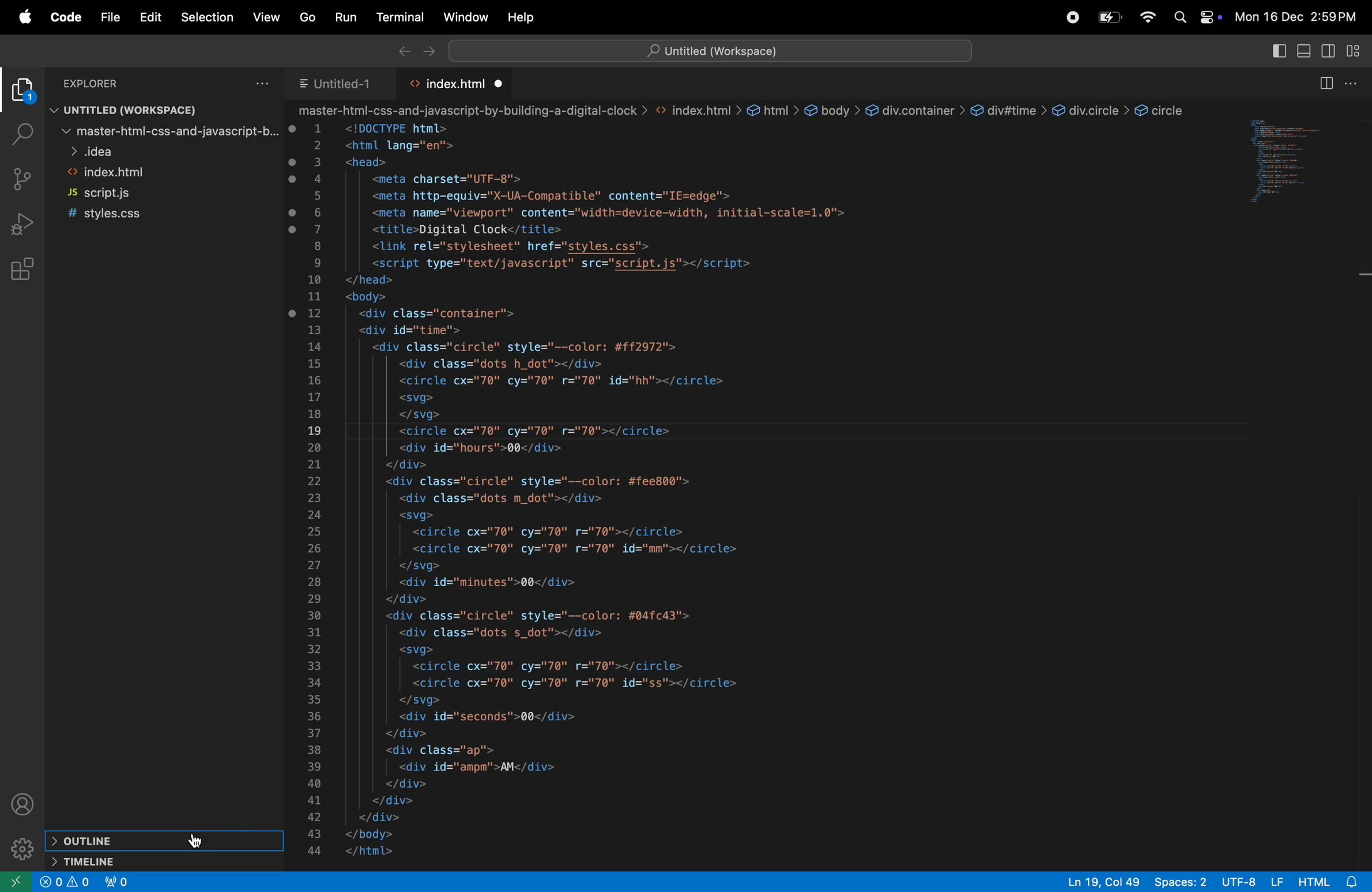  I want to click on explorer, so click(22, 92).